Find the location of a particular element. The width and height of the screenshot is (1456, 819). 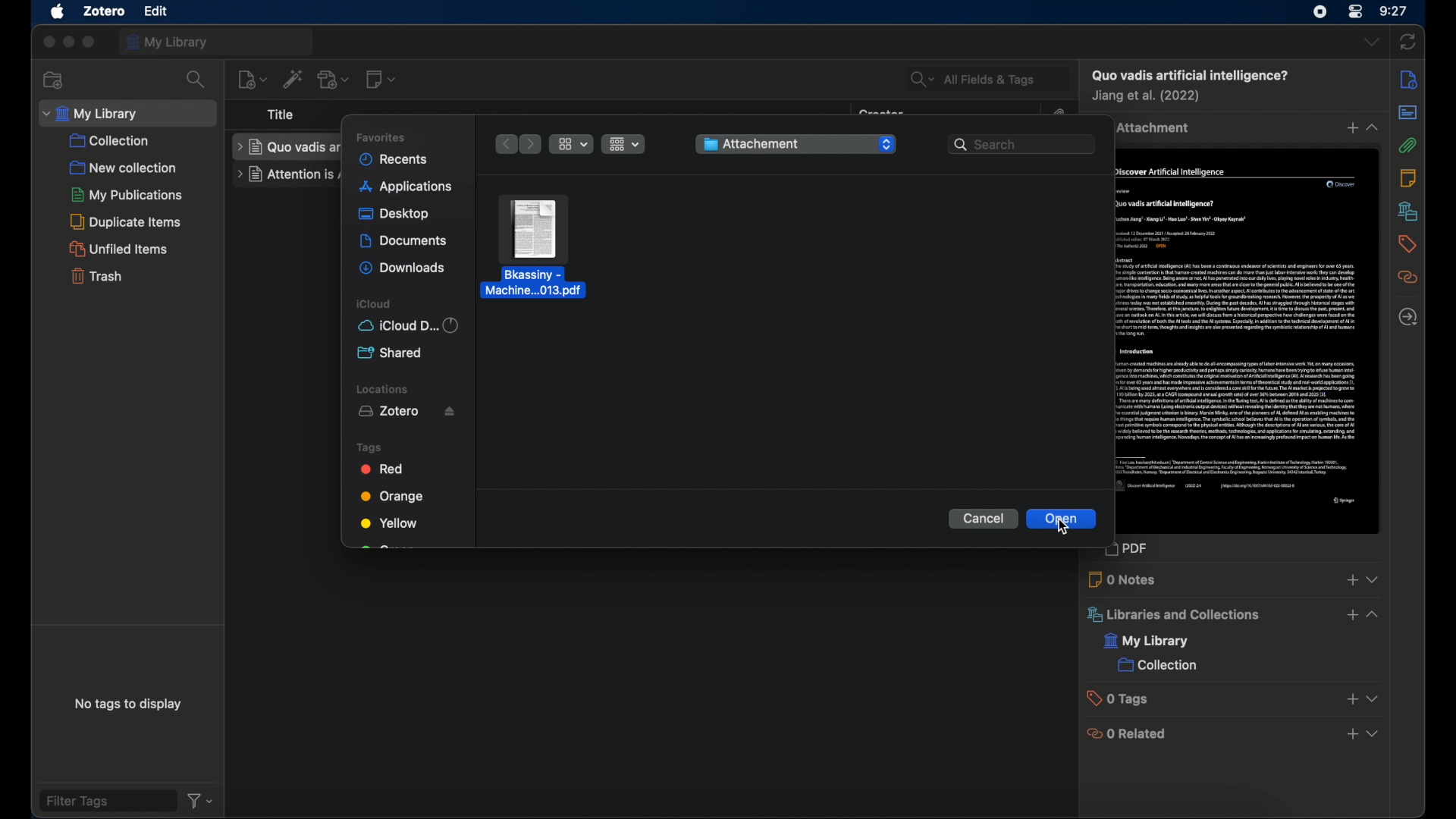

previous is located at coordinates (504, 144).